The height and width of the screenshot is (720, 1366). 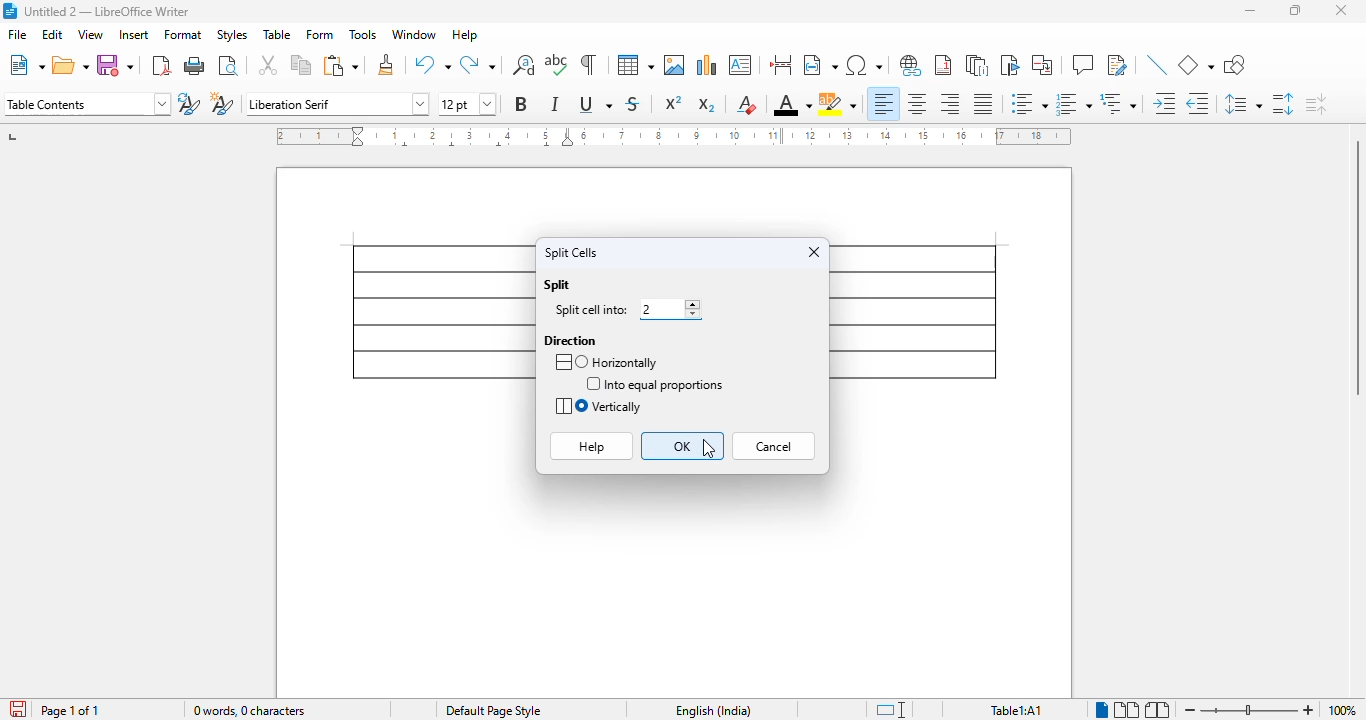 What do you see at coordinates (52, 34) in the screenshot?
I see `edit` at bounding box center [52, 34].